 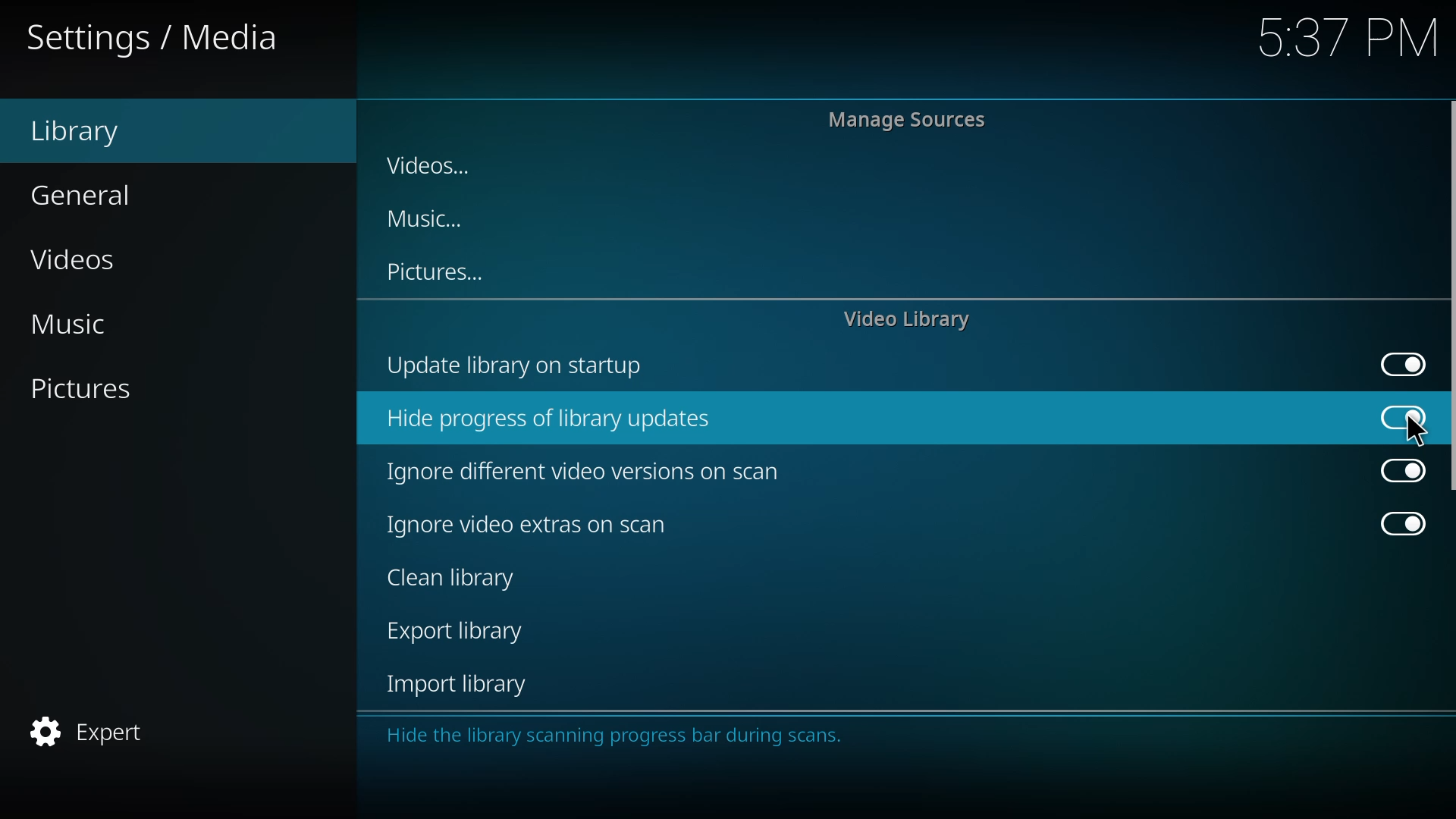 I want to click on settings/ media, so click(x=171, y=42).